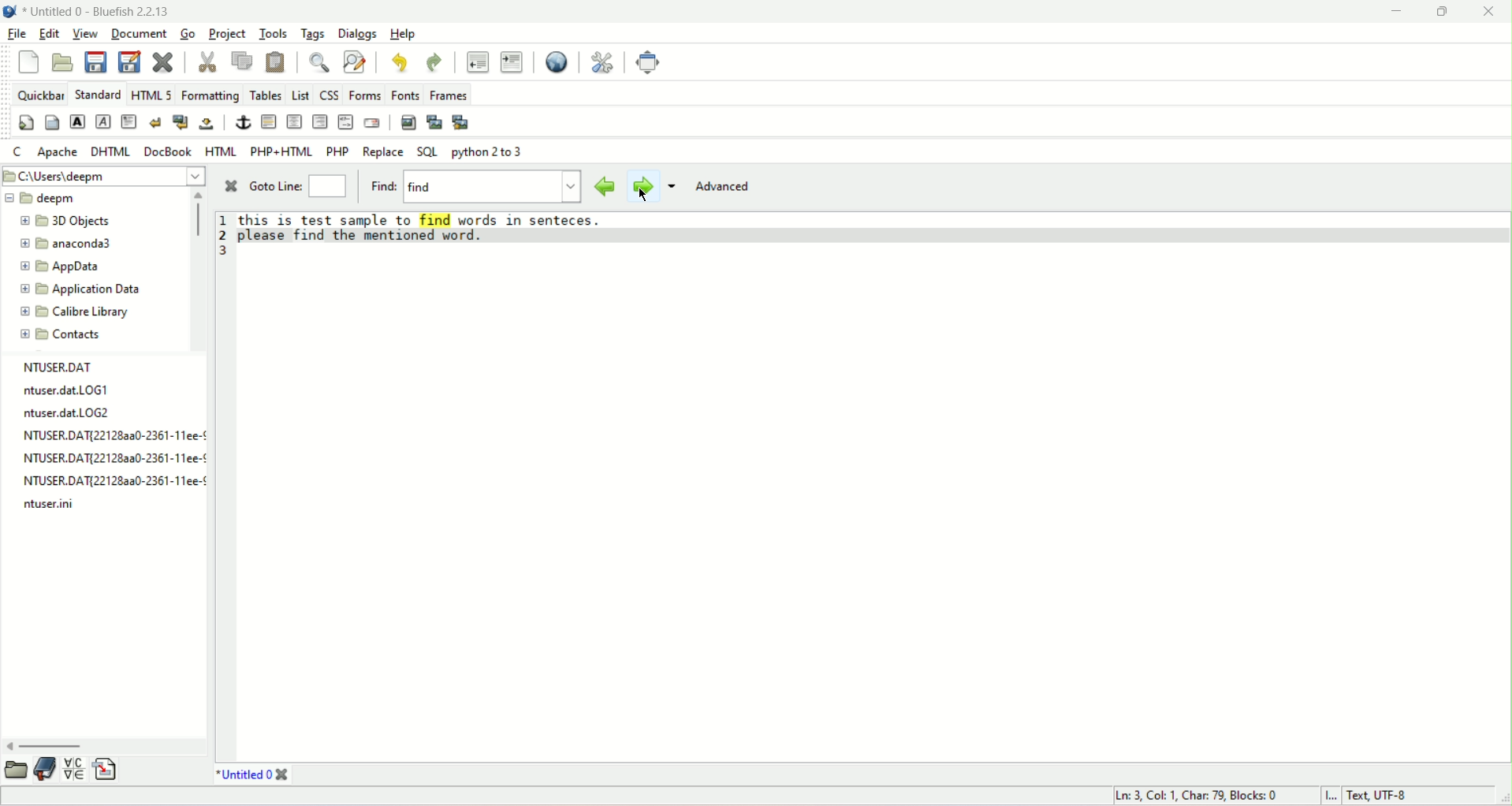 The height and width of the screenshot is (806, 1512). I want to click on ntuser.ini, so click(51, 504).